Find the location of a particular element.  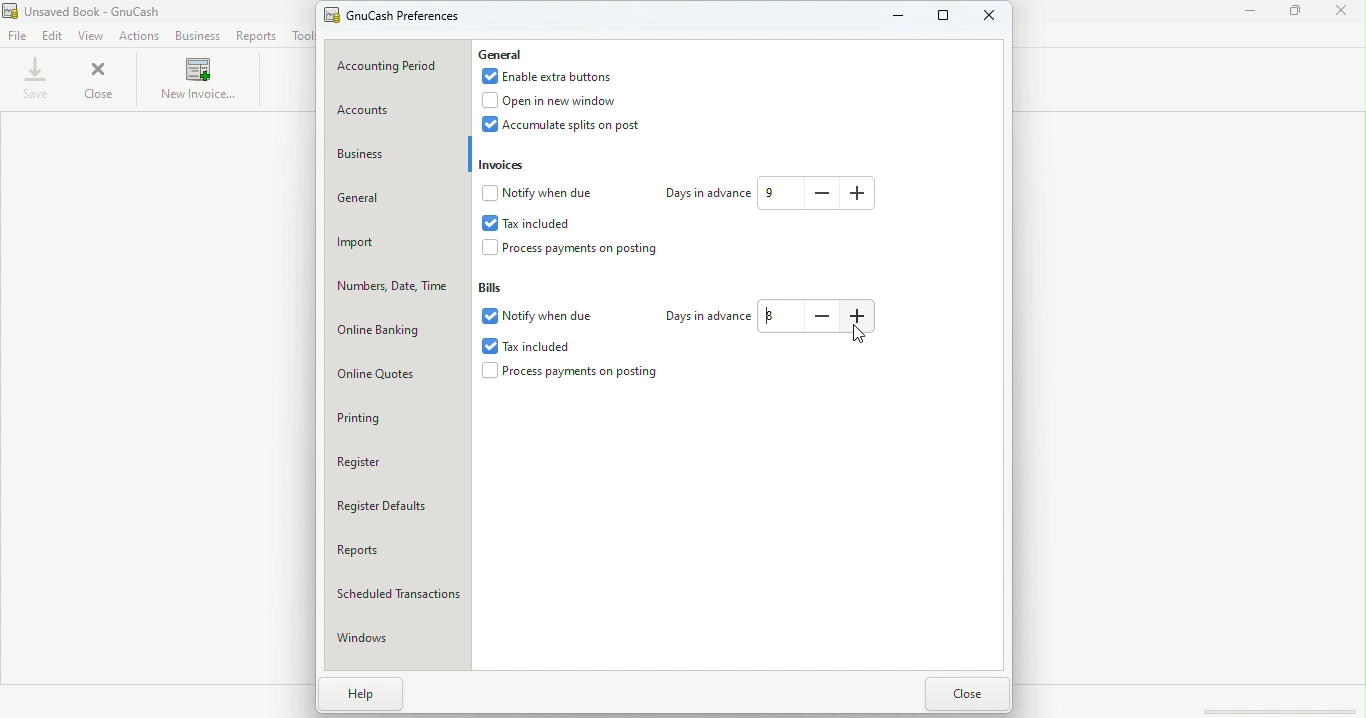

Process payments on postings is located at coordinates (574, 373).